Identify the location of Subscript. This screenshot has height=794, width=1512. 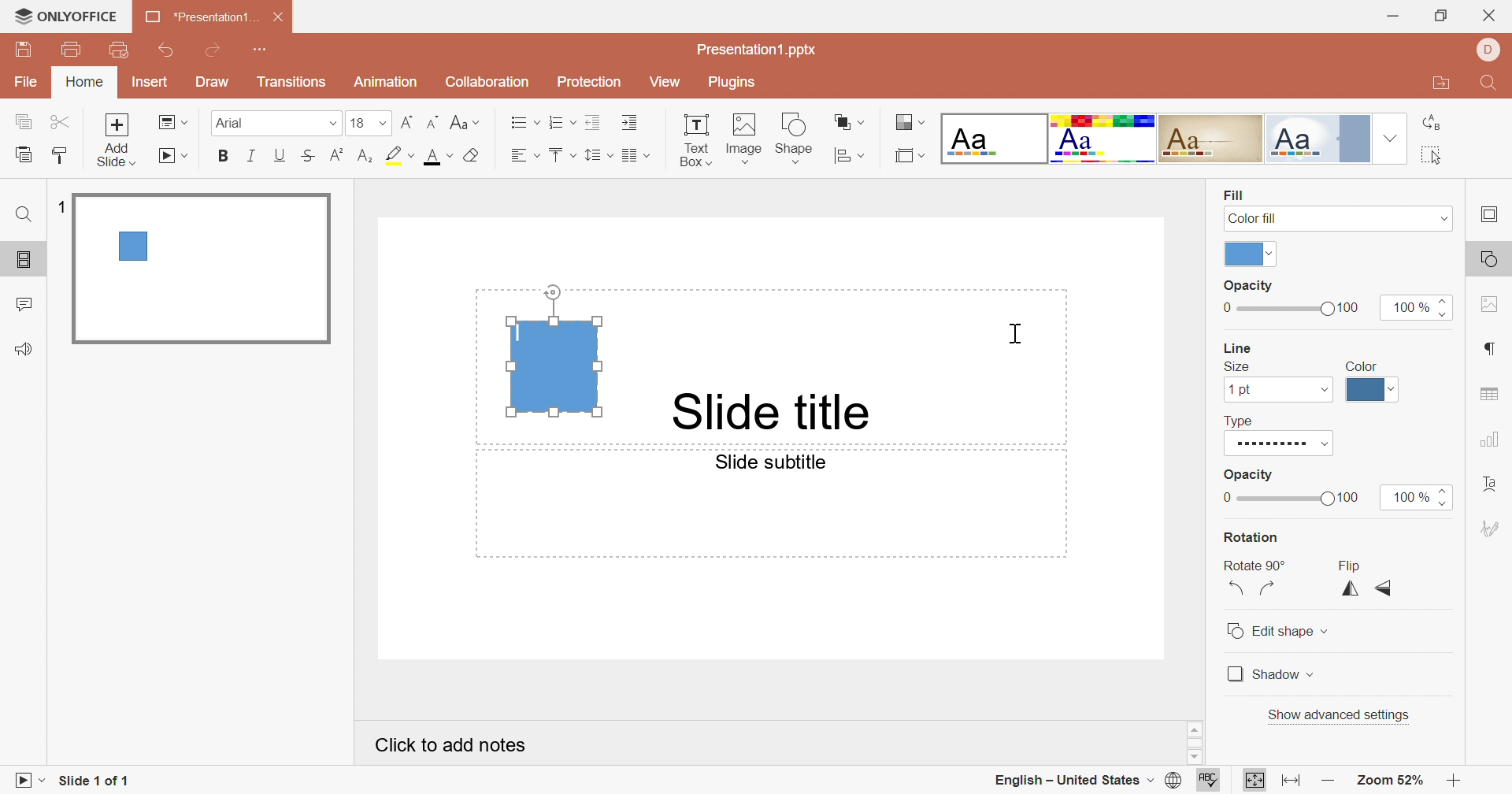
(363, 158).